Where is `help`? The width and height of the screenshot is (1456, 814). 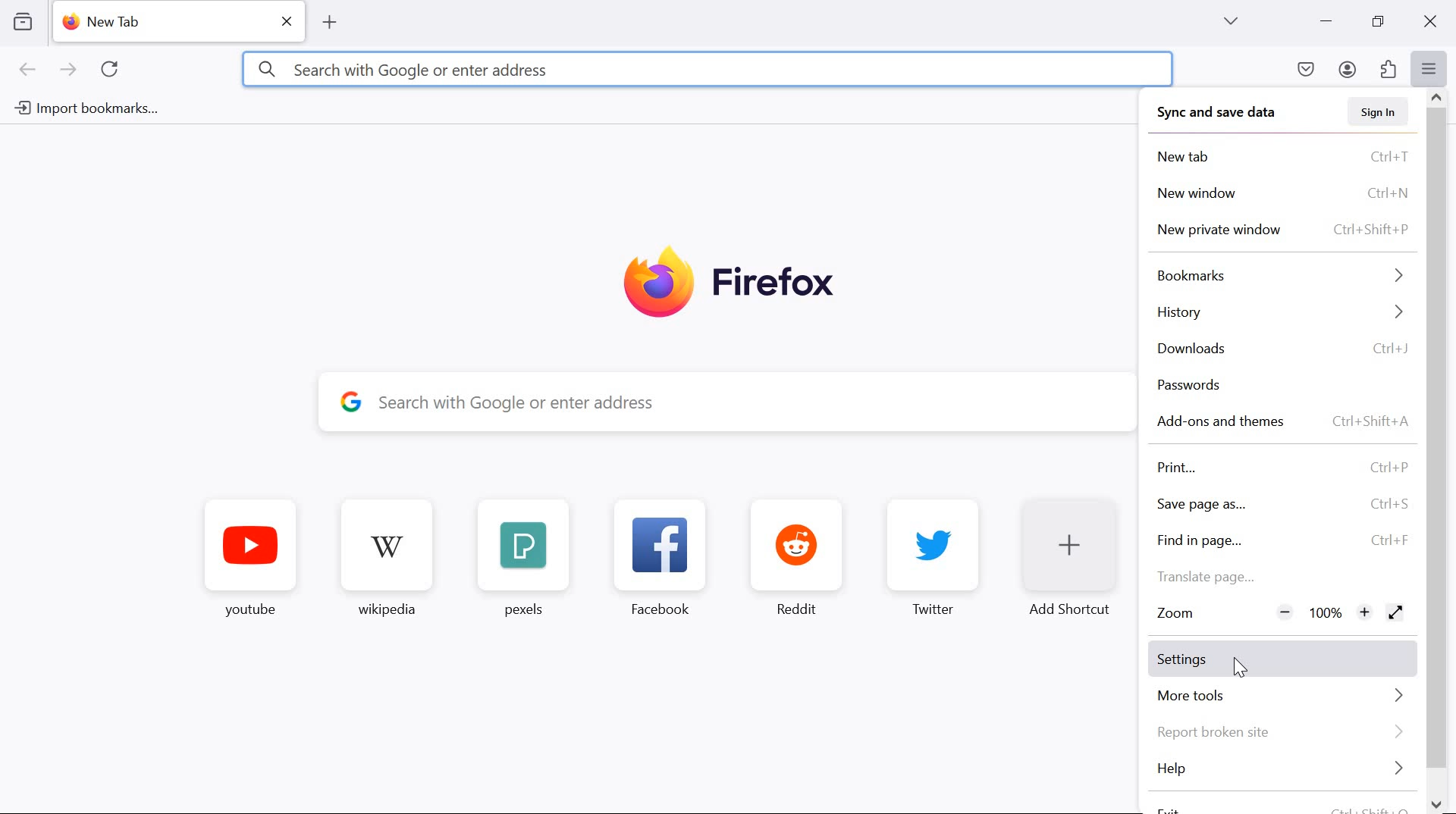
help is located at coordinates (1282, 767).